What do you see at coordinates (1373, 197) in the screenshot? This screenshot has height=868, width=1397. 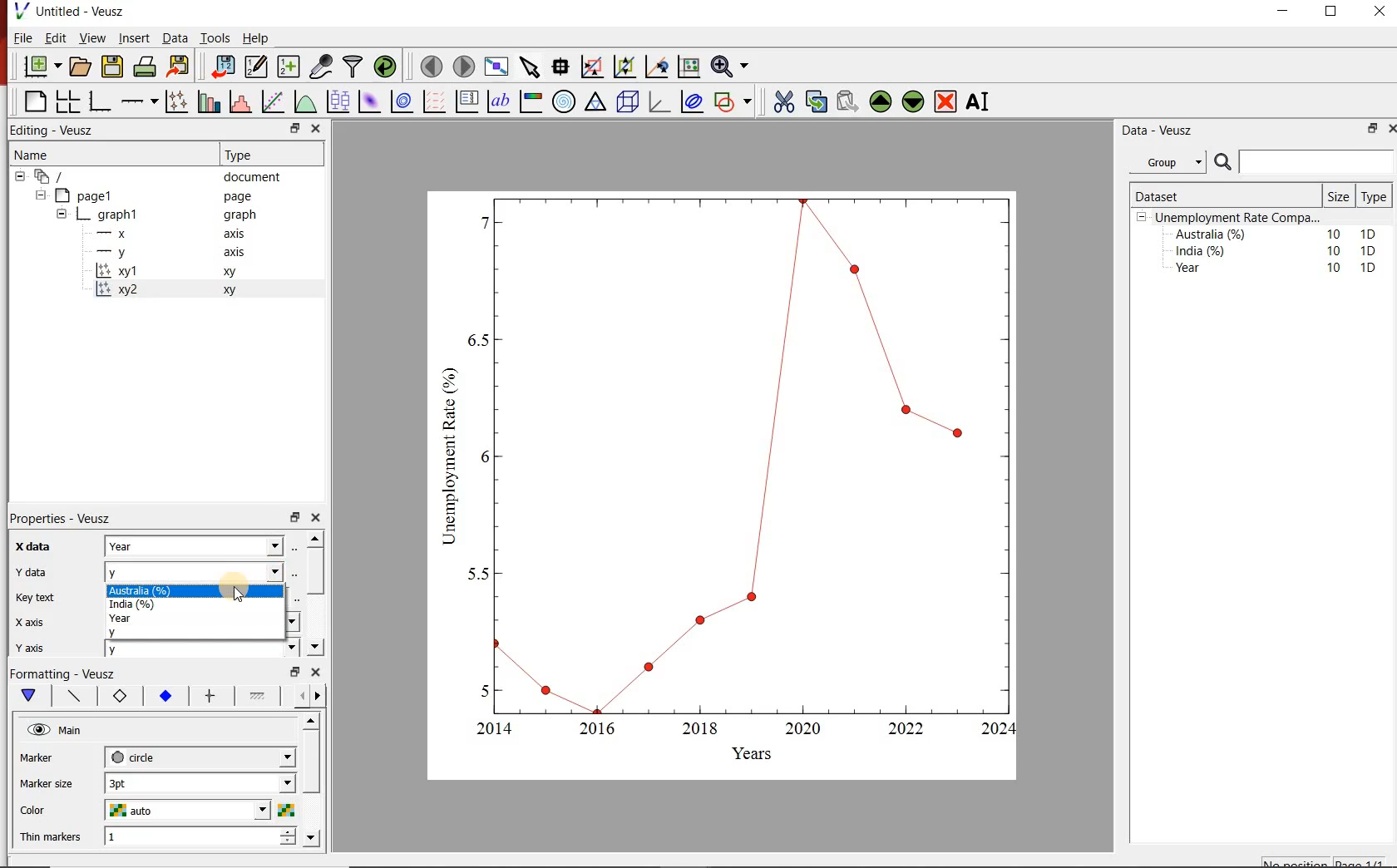 I see `Type` at bounding box center [1373, 197].